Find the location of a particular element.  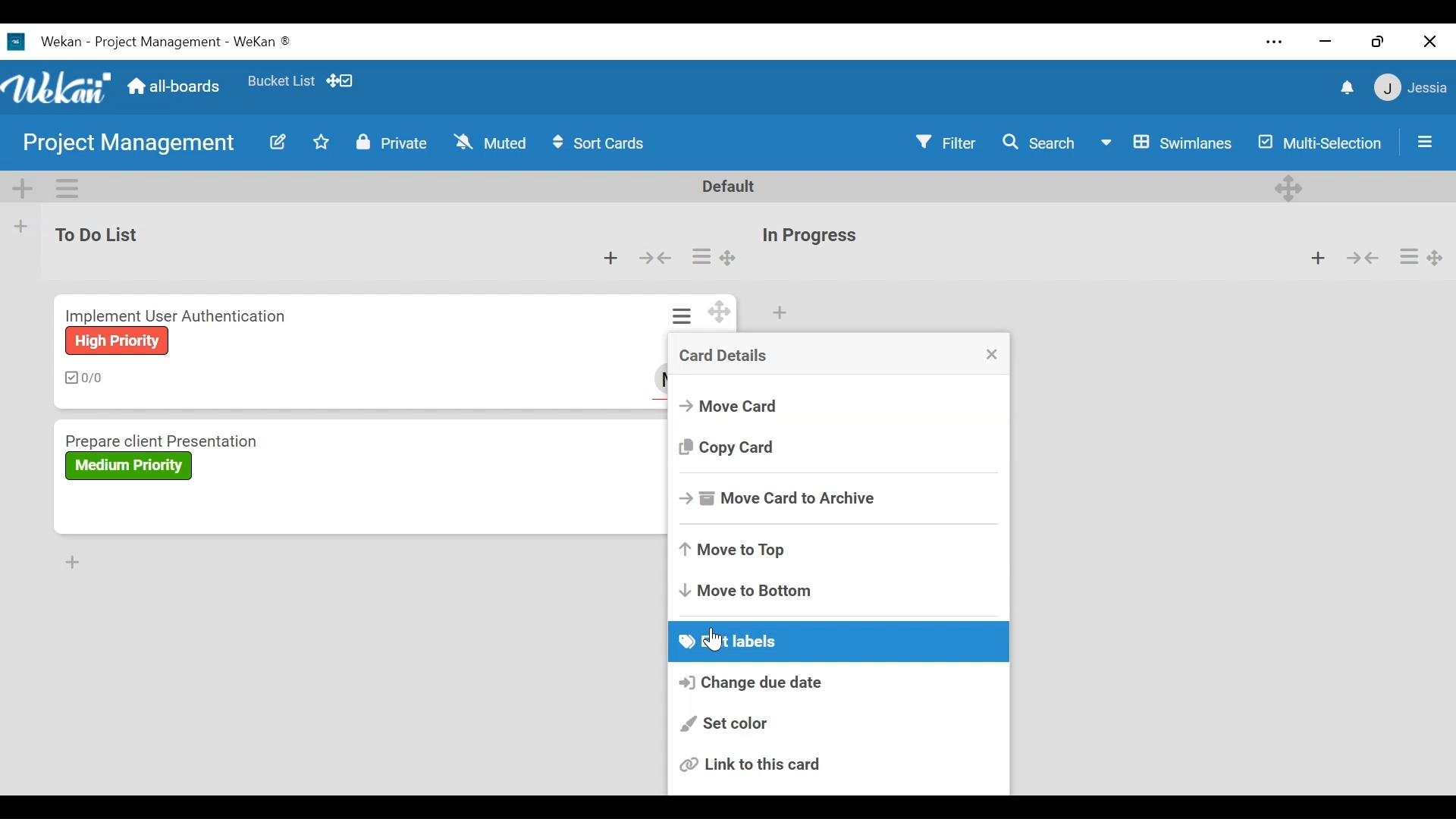

Swimlane Actions is located at coordinates (70, 188).